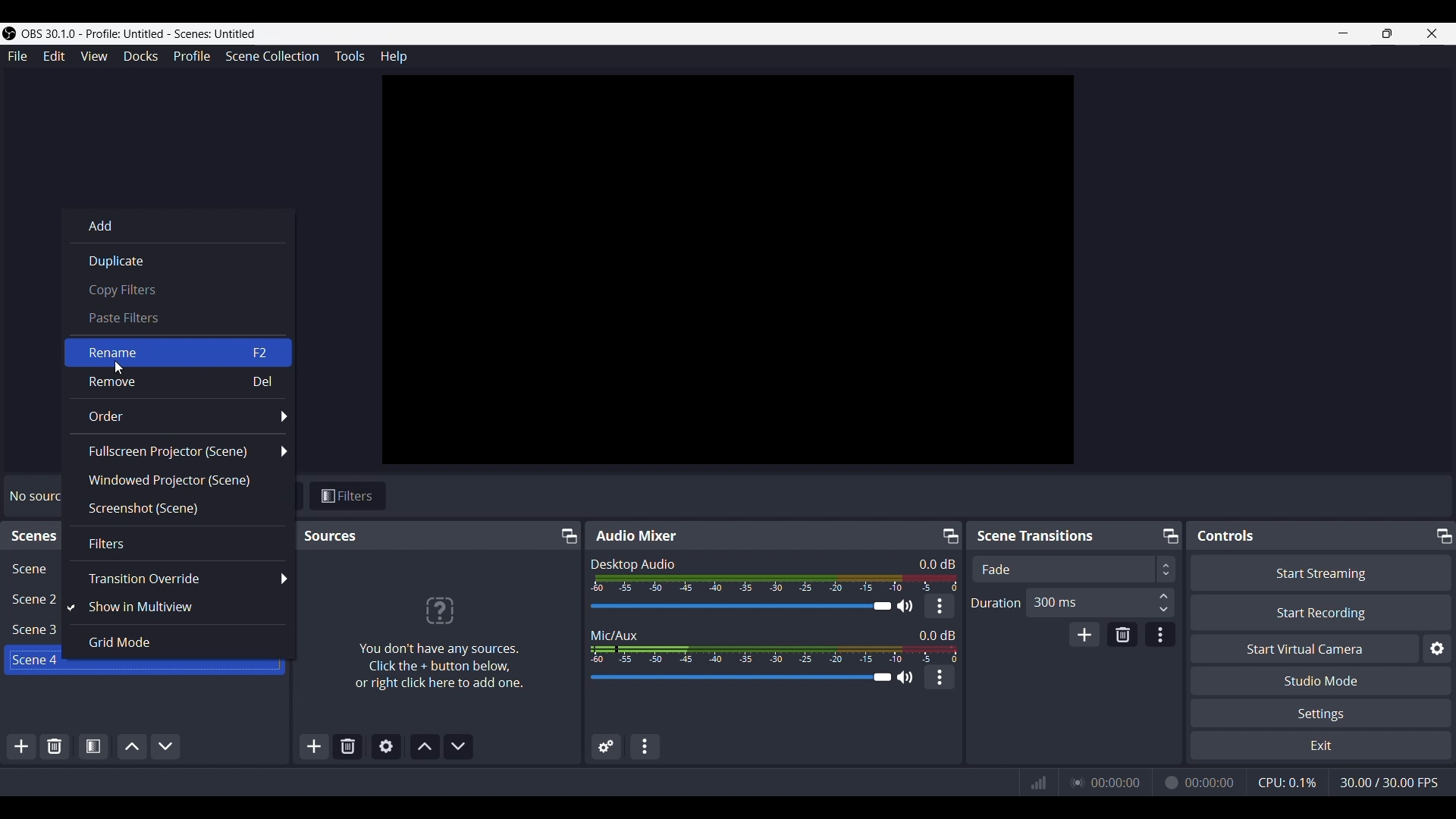 The width and height of the screenshot is (1456, 819). I want to click on Duration Input, so click(1163, 602).